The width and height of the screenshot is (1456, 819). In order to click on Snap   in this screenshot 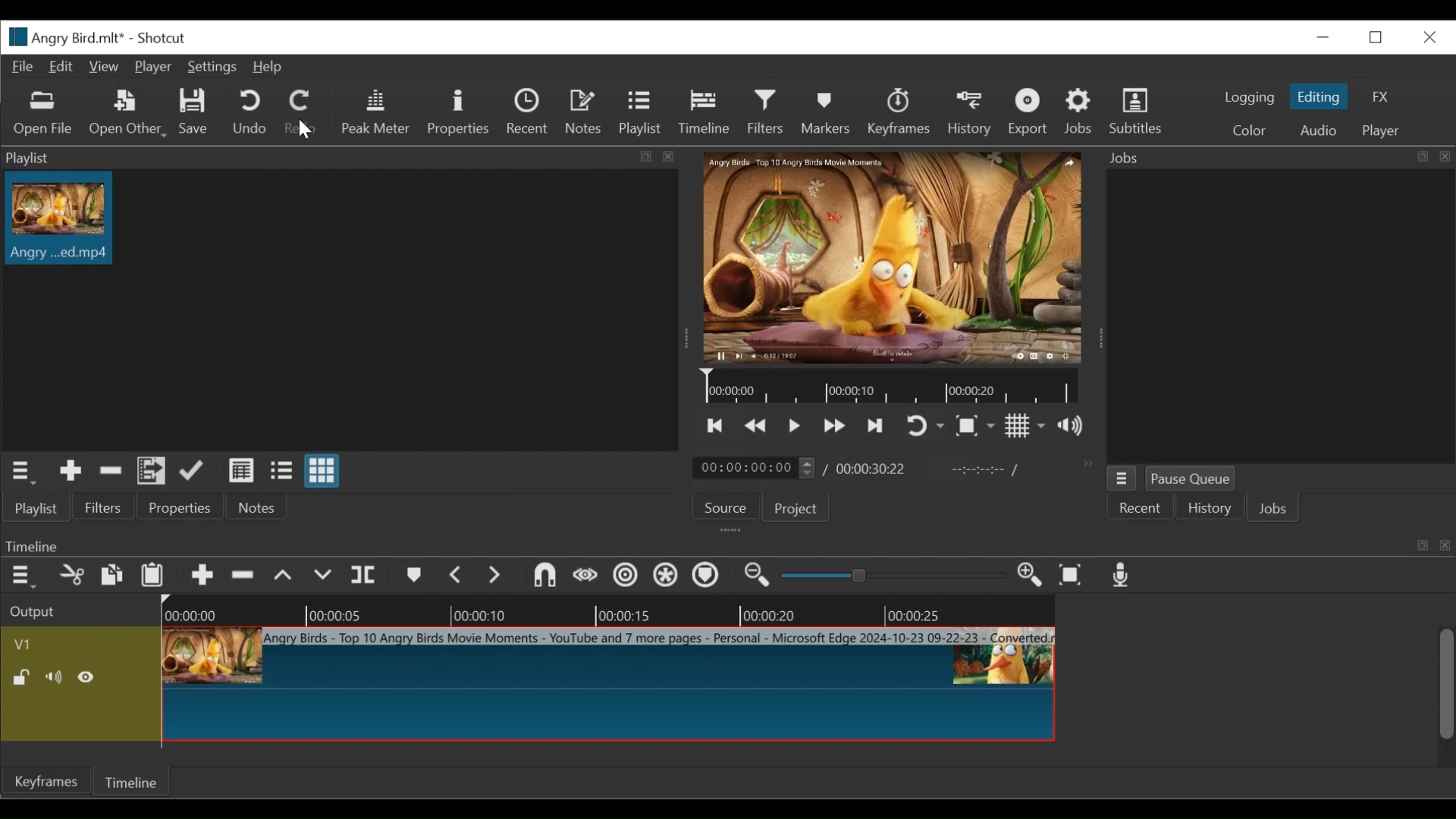, I will do `click(544, 577)`.